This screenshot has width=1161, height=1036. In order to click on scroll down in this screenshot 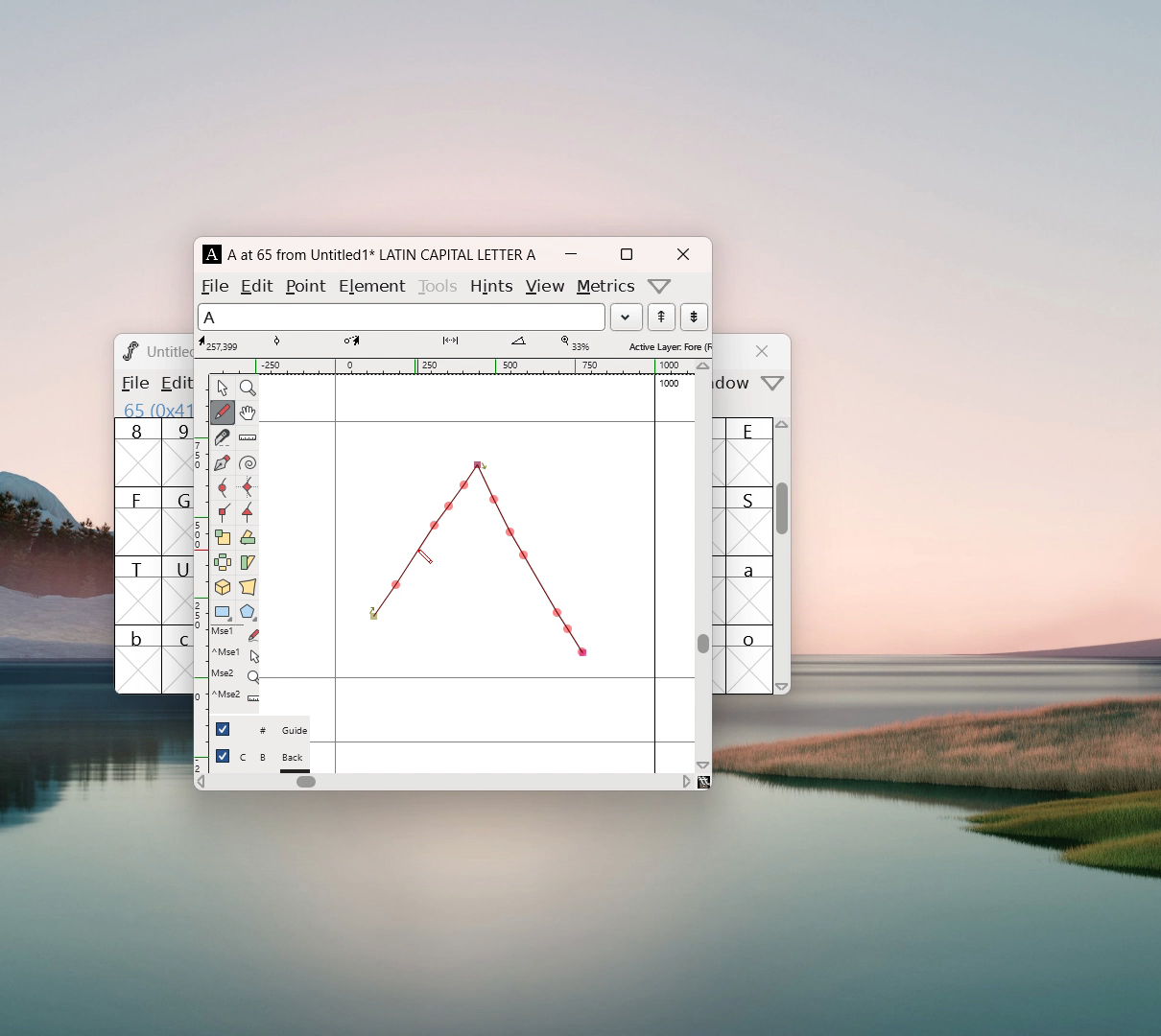, I will do `click(783, 686)`.